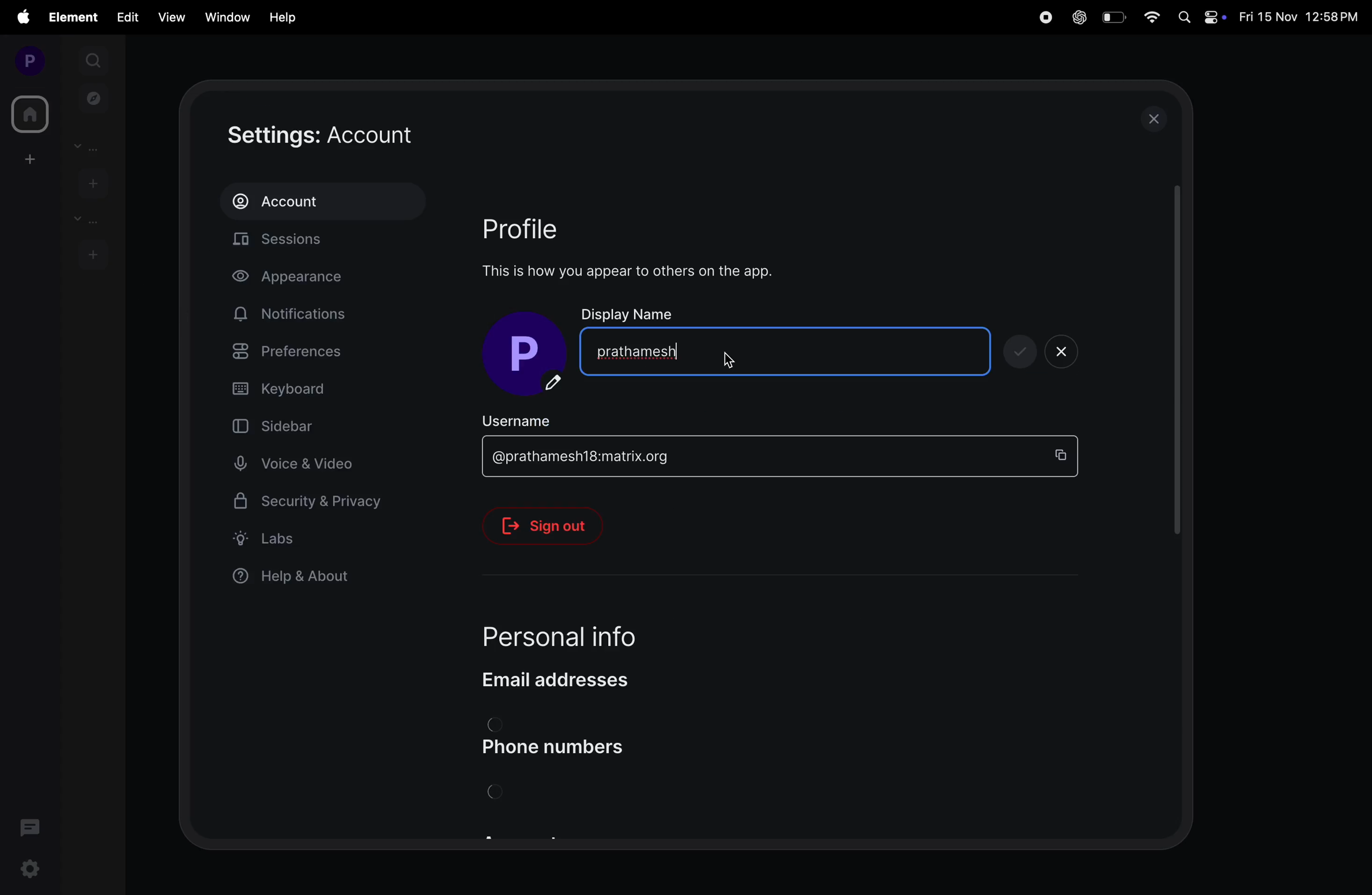 The image size is (1372, 895). What do you see at coordinates (305, 279) in the screenshot?
I see `apperance` at bounding box center [305, 279].